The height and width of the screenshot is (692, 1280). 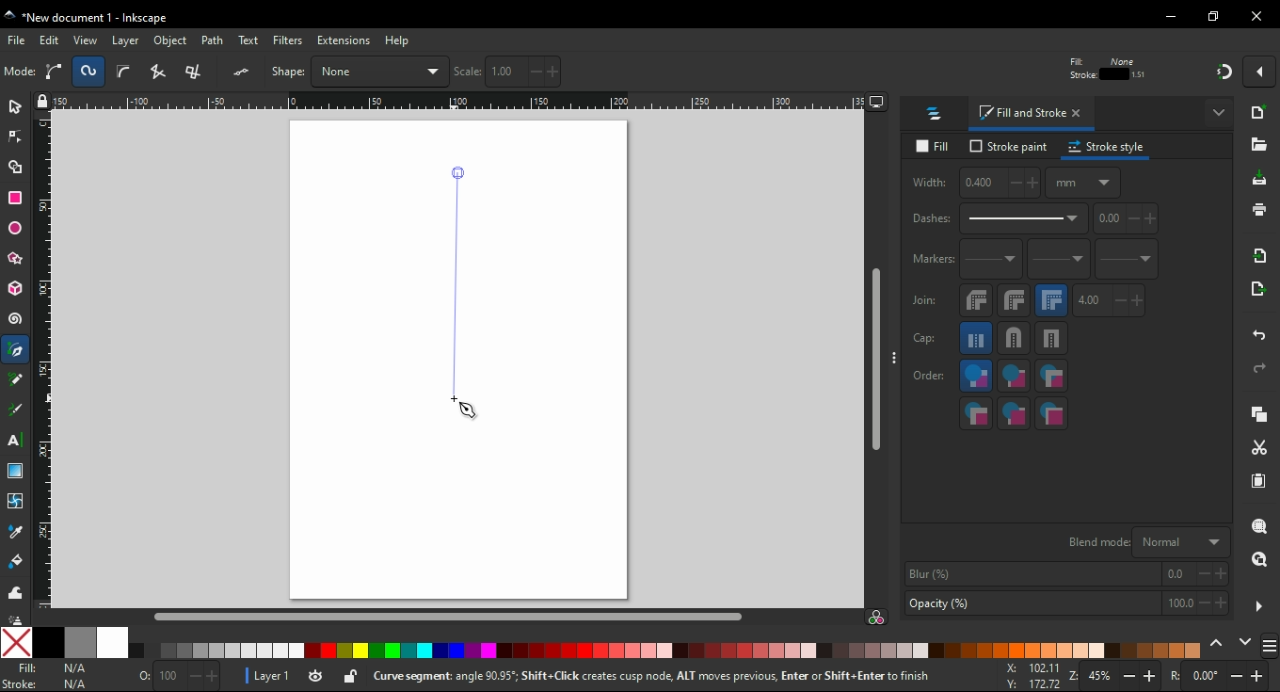 What do you see at coordinates (1259, 148) in the screenshot?
I see `open file dialogue` at bounding box center [1259, 148].